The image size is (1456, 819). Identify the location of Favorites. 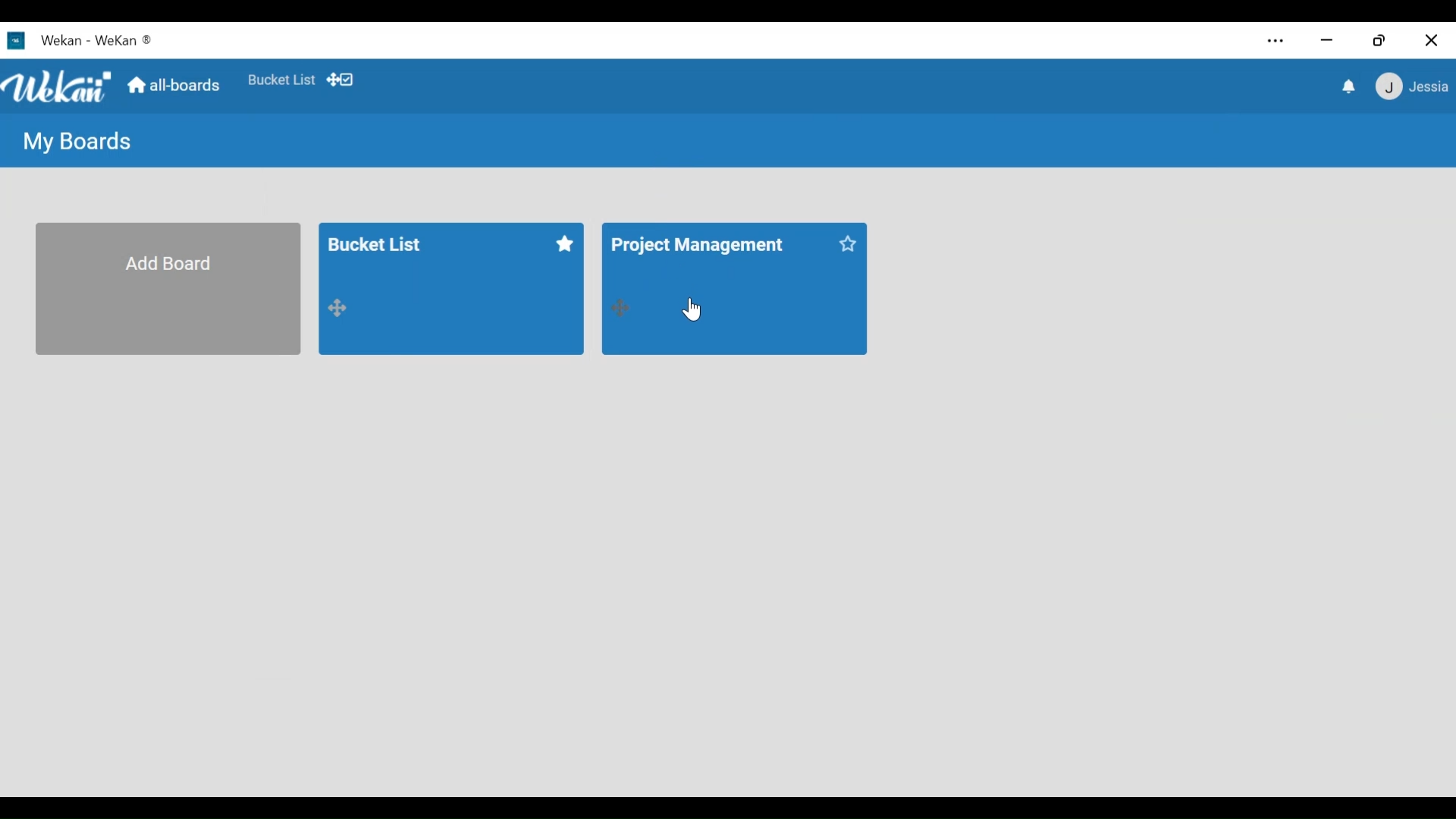
(279, 80).